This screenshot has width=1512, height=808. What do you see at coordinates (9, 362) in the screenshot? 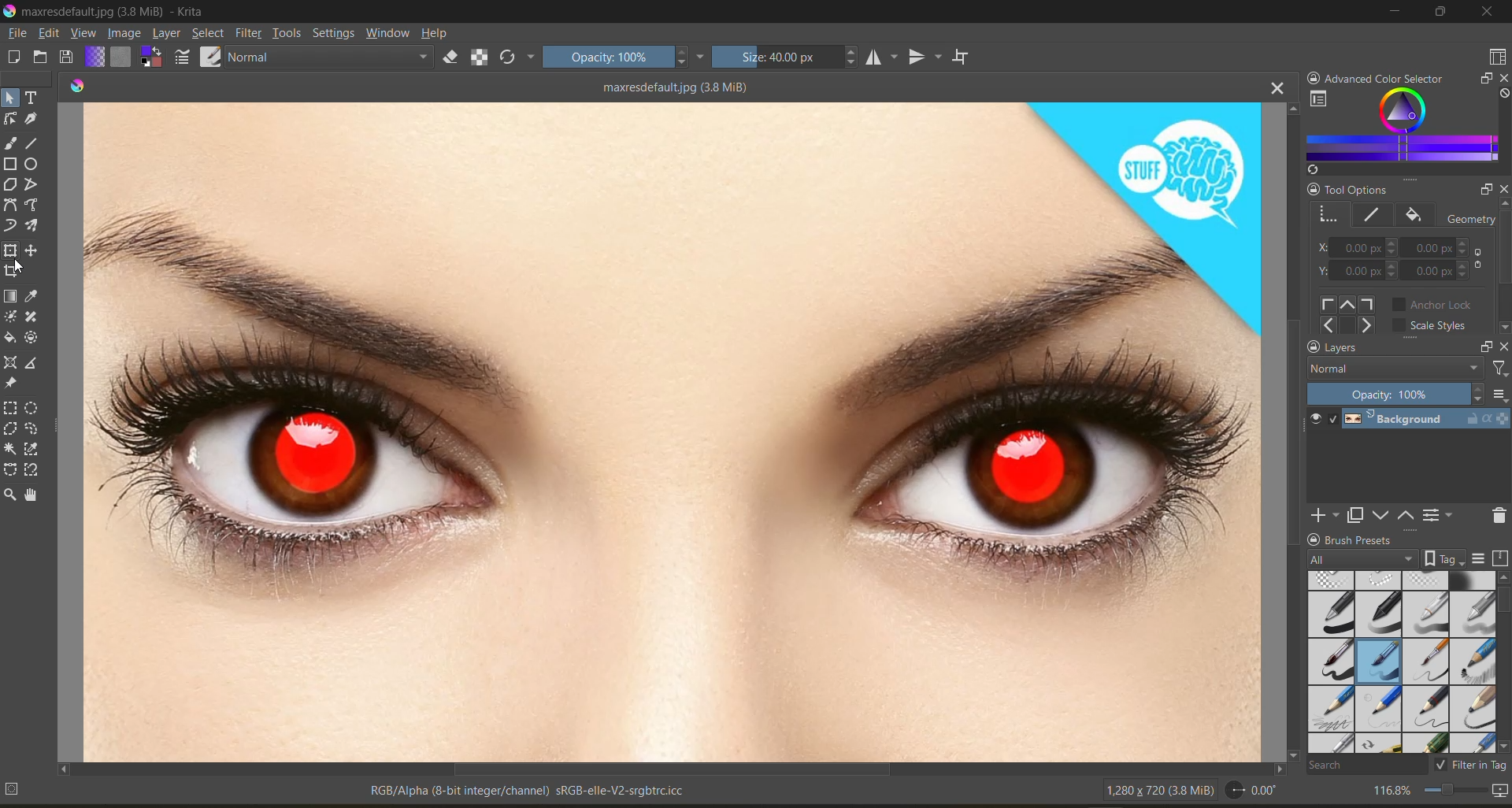
I see `tool` at bounding box center [9, 362].